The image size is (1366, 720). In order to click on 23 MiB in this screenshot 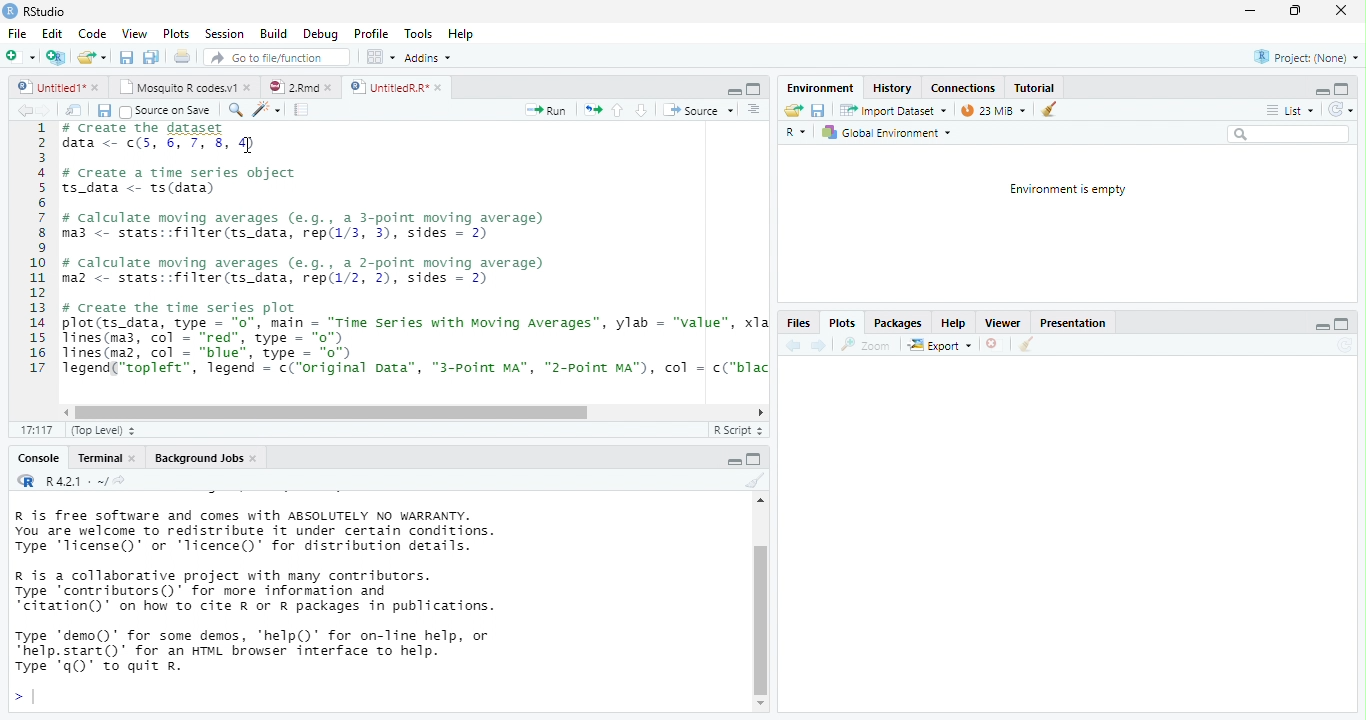, I will do `click(992, 110)`.